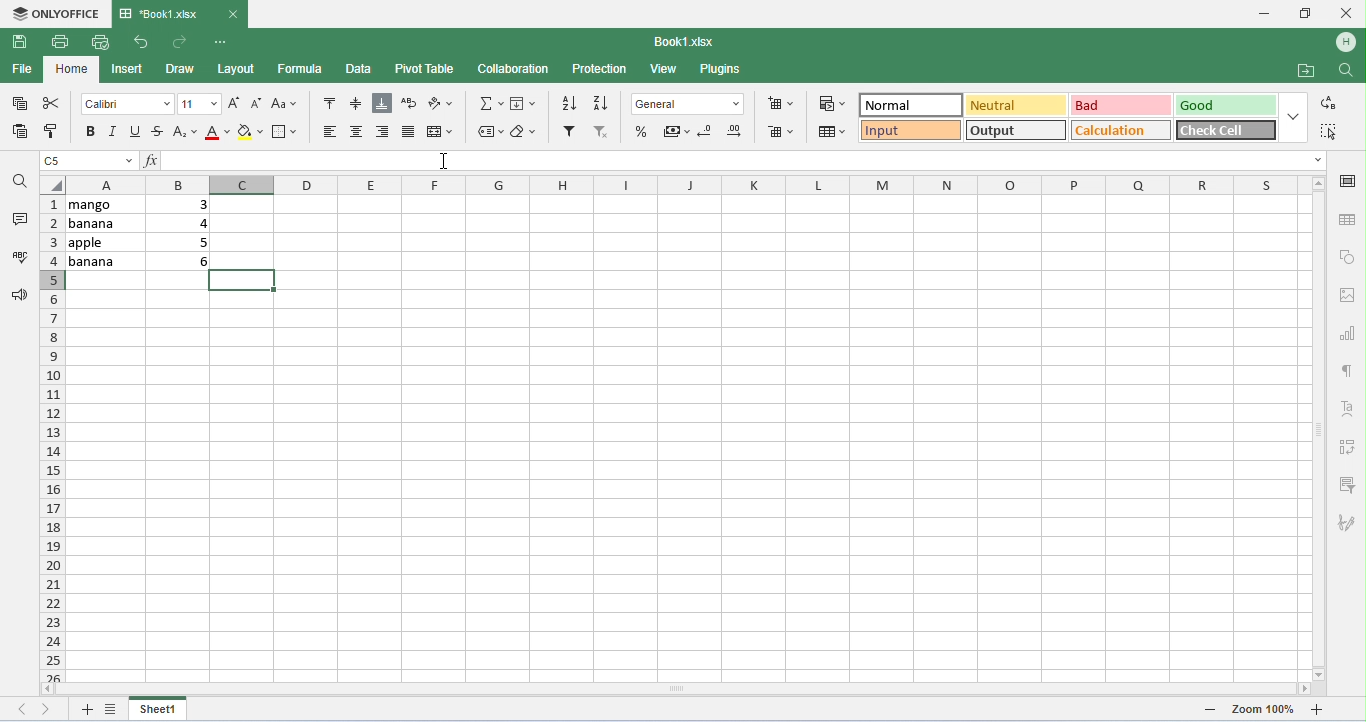  Describe the element at coordinates (382, 104) in the screenshot. I see `align bottom` at that location.